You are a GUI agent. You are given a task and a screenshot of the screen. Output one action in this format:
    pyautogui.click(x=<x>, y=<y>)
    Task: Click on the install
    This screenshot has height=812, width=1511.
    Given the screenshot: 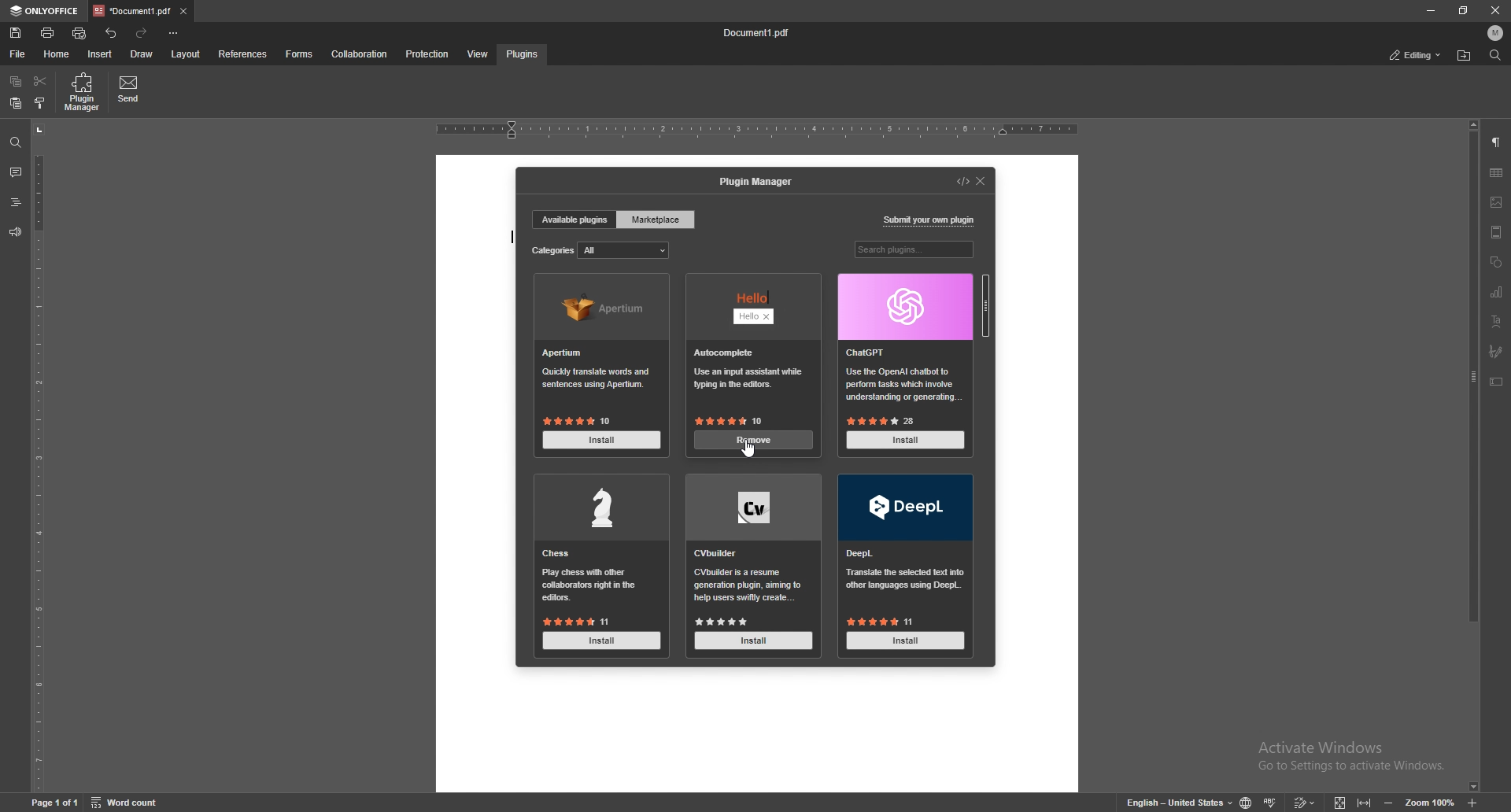 What is the action you would take?
    pyautogui.click(x=907, y=441)
    